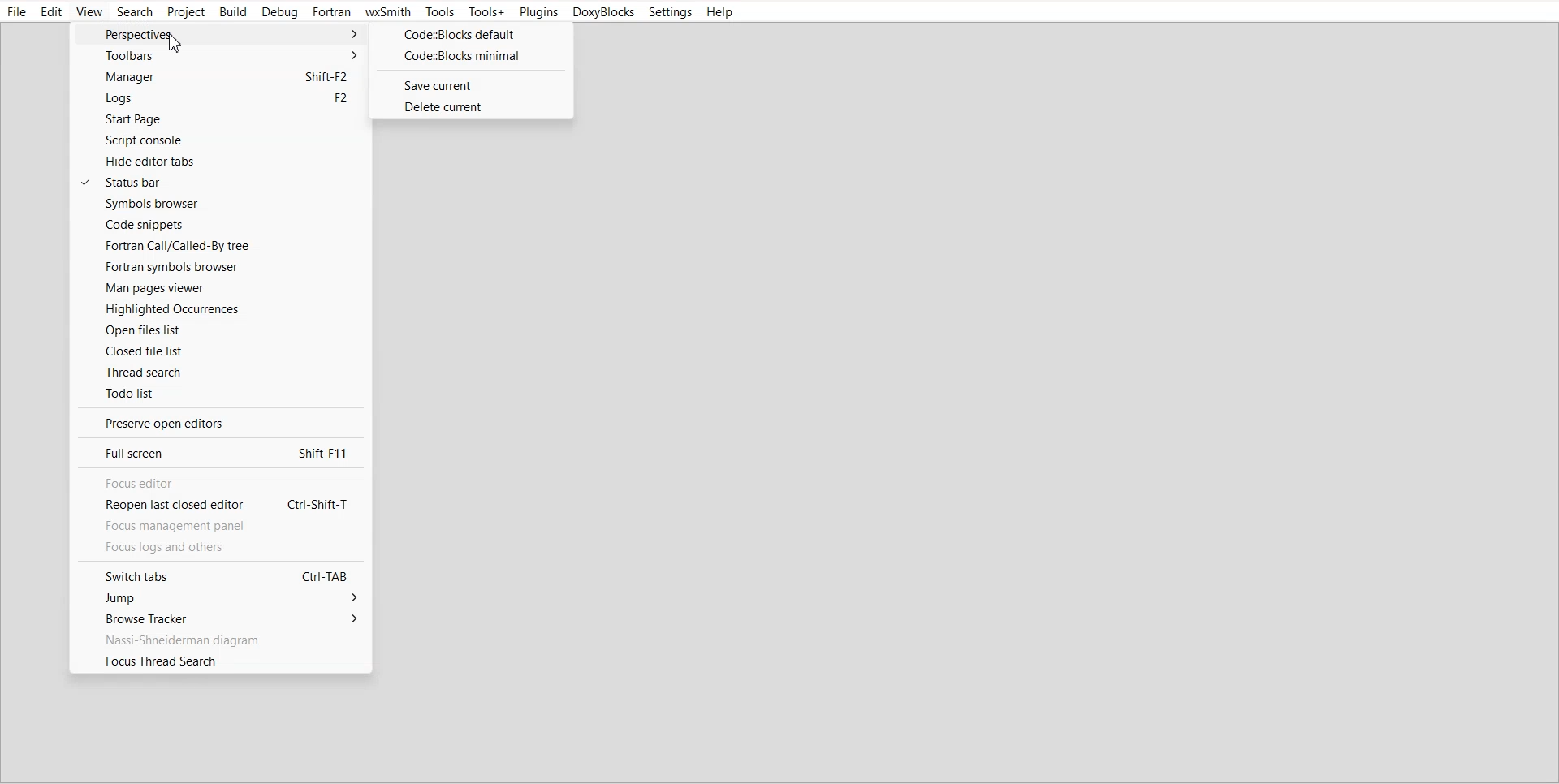  I want to click on Nassi-Shneiderman diagram, so click(218, 639).